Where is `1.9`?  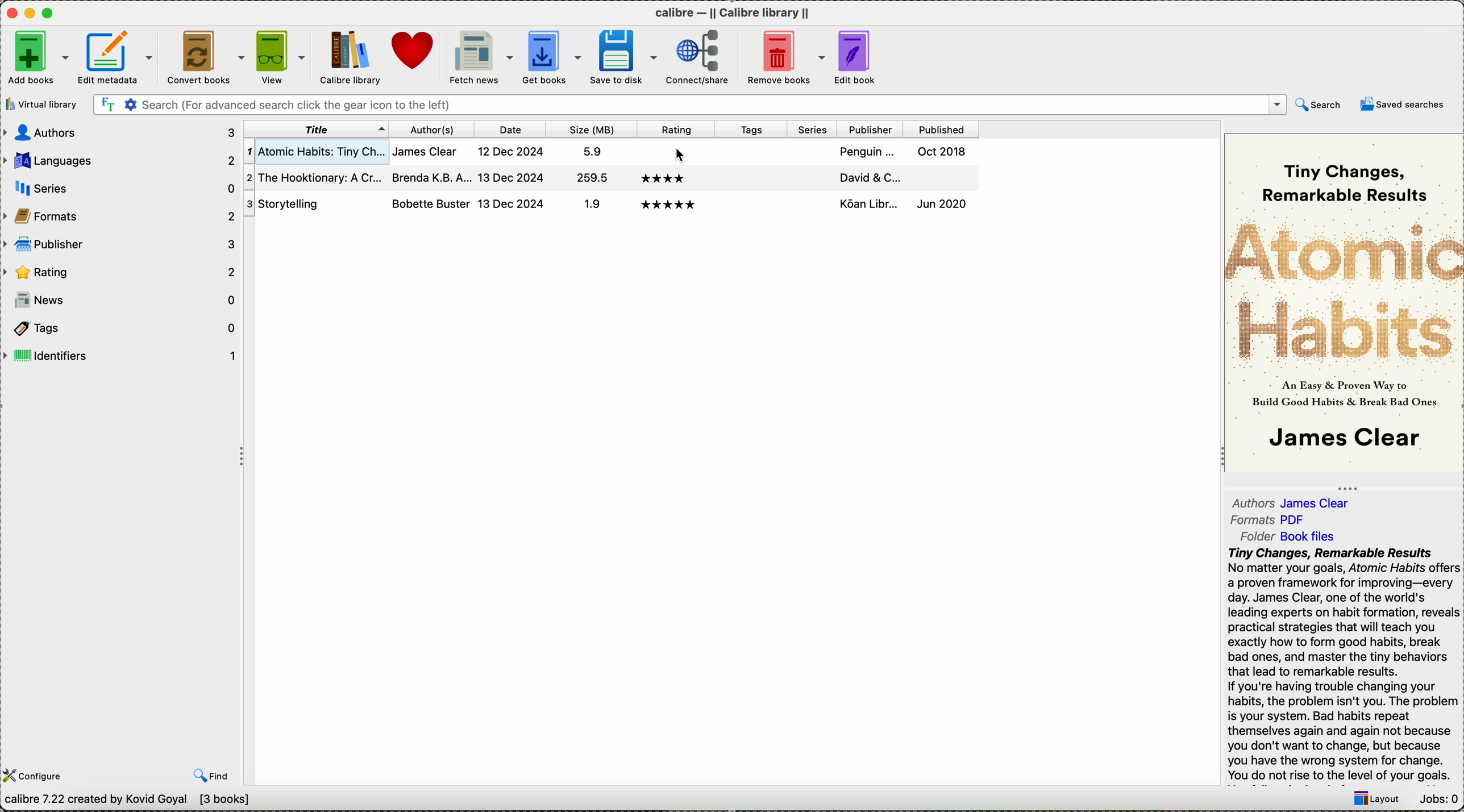
1.9 is located at coordinates (589, 205).